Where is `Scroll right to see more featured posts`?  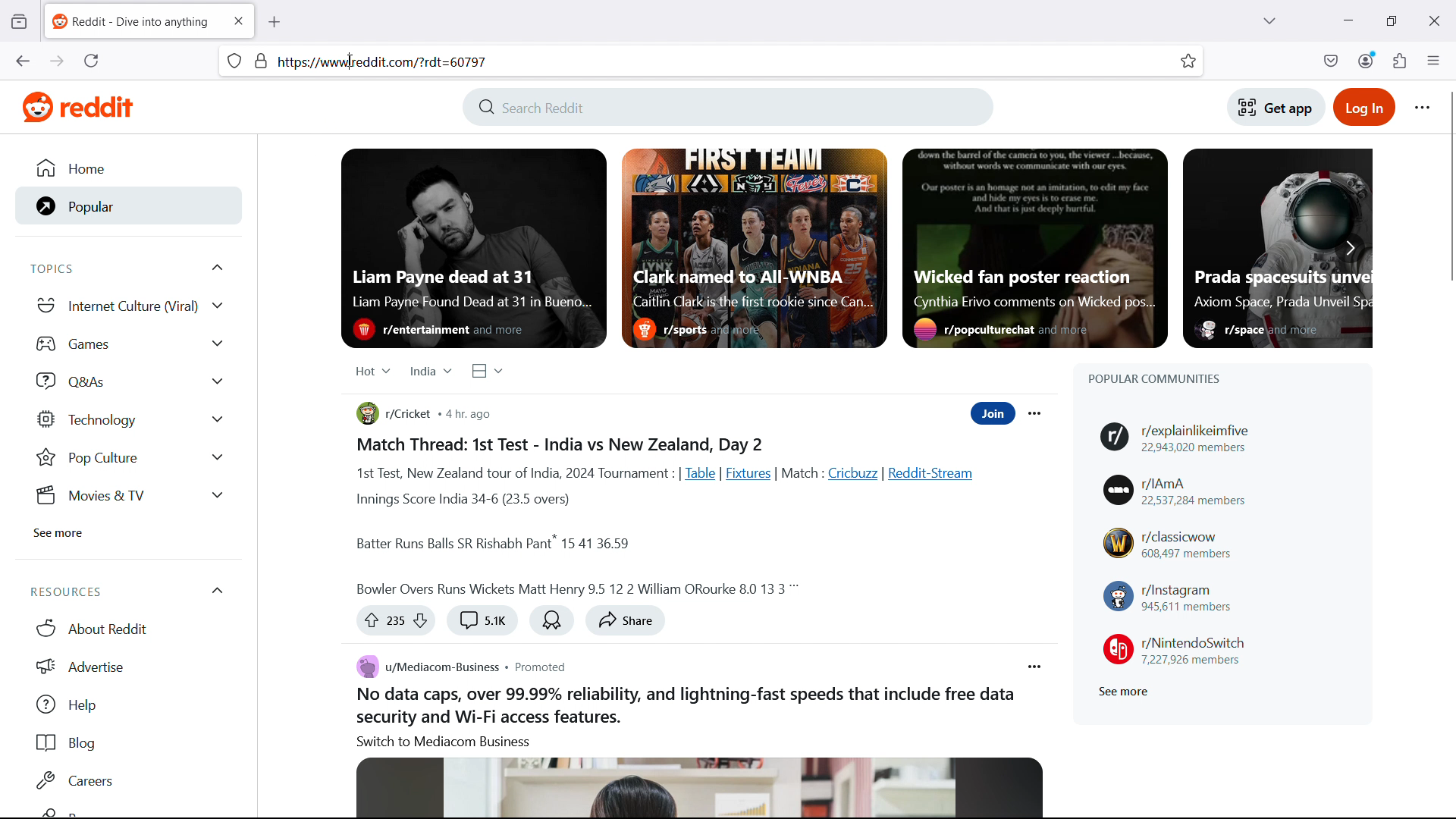
Scroll right to see more featured posts is located at coordinates (1350, 246).